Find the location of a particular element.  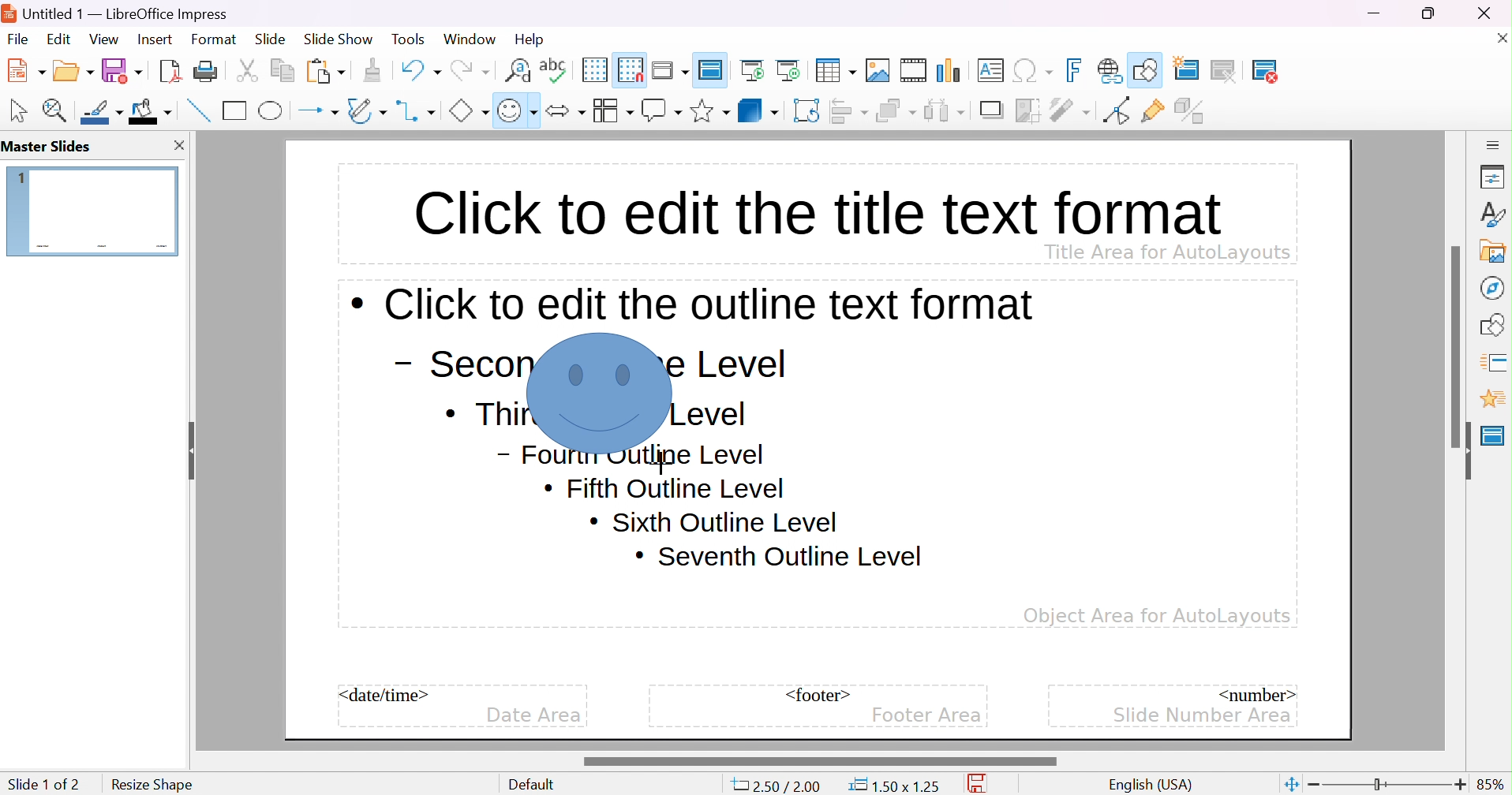

open is located at coordinates (75, 69).